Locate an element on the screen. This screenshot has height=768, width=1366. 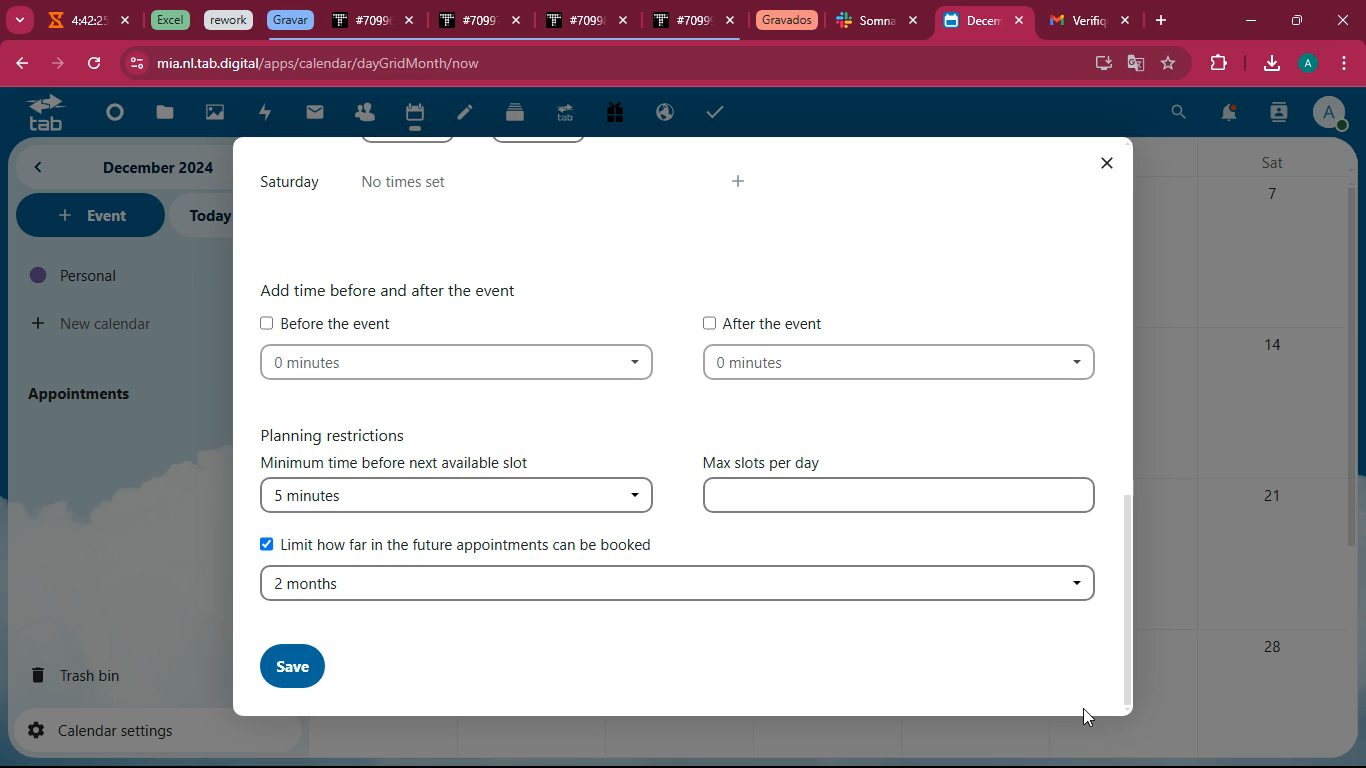
tab is located at coordinates (167, 20).